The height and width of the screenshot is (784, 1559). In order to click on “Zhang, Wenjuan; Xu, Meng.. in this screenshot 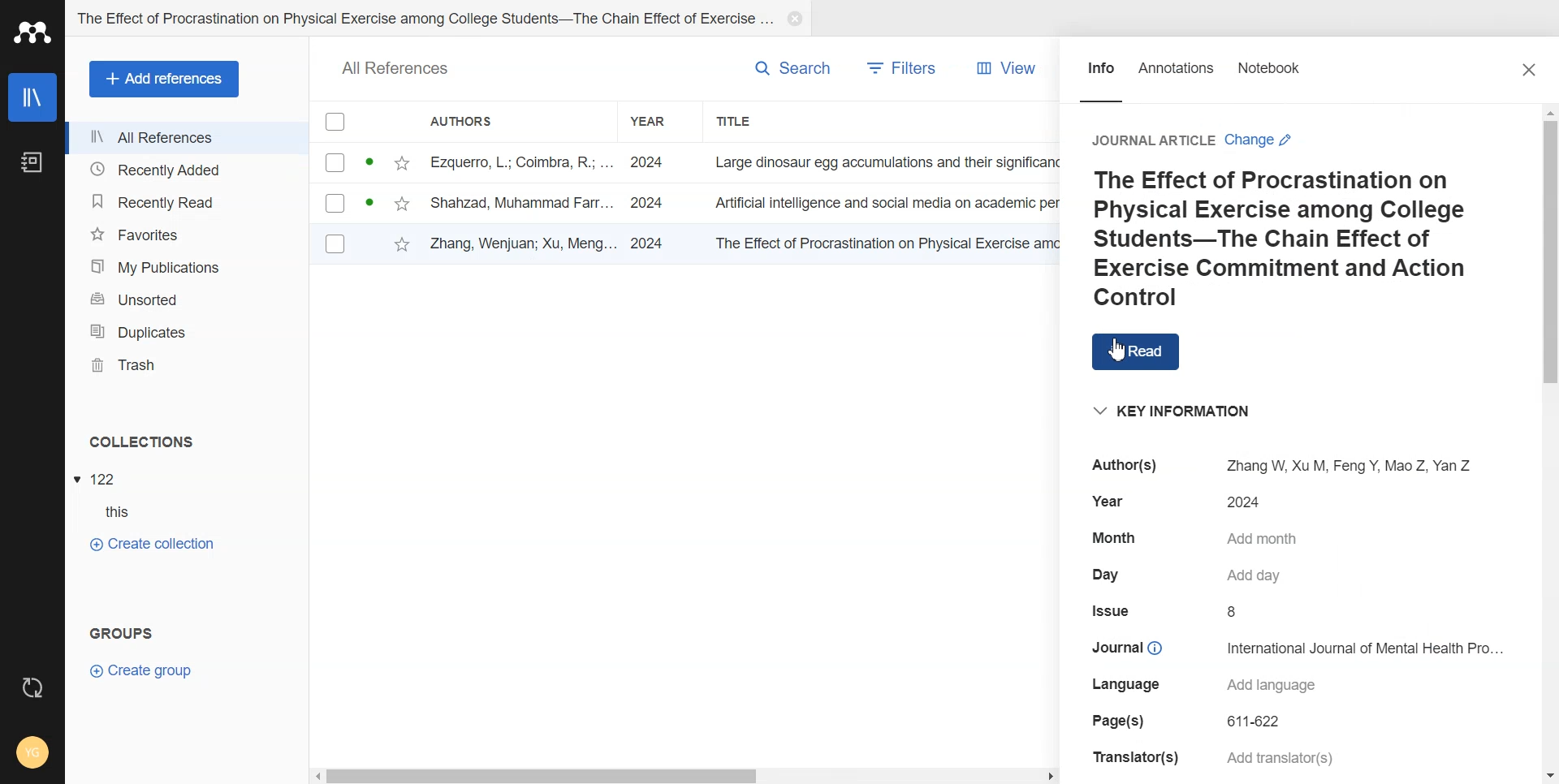, I will do `click(521, 242)`.